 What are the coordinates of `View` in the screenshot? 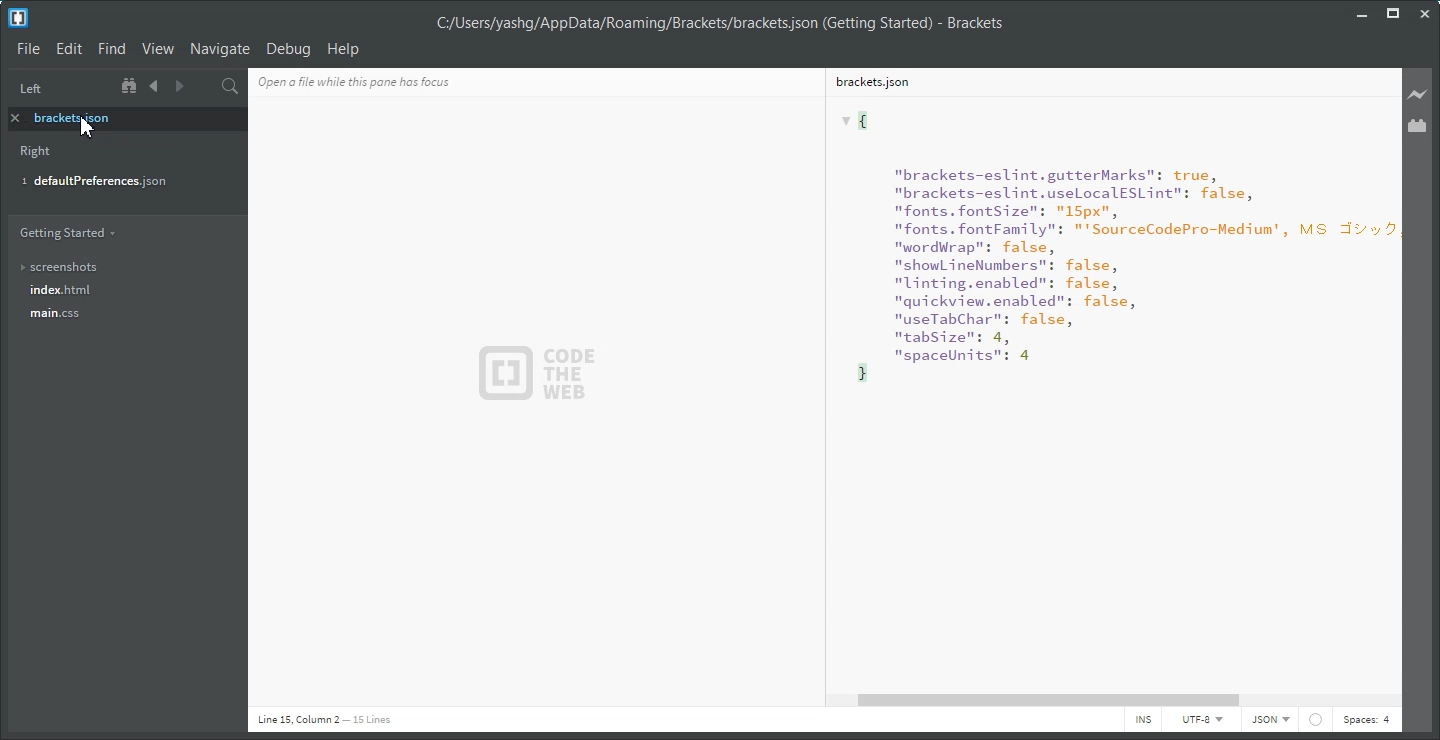 It's located at (157, 49).